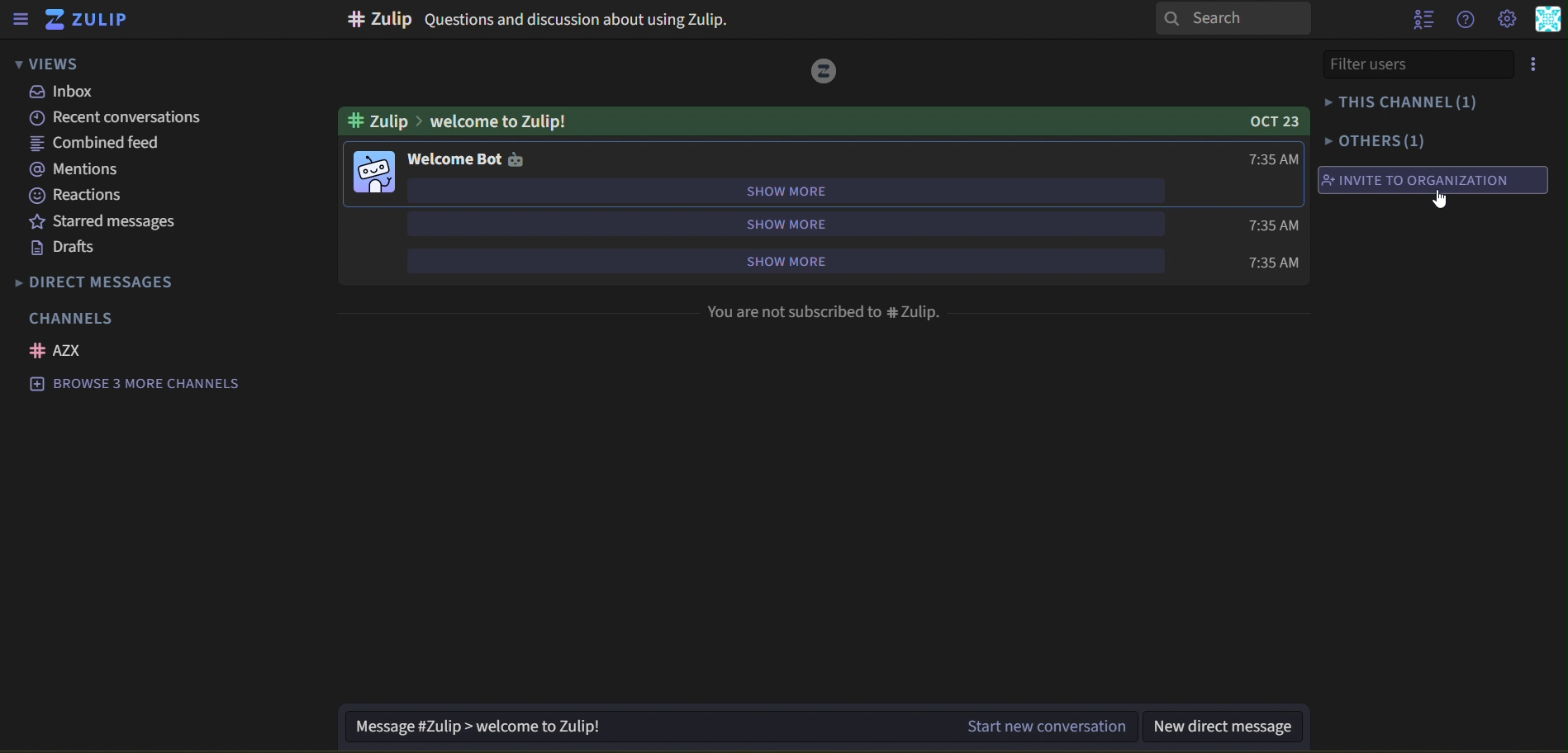  I want to click on channels, so click(80, 318).